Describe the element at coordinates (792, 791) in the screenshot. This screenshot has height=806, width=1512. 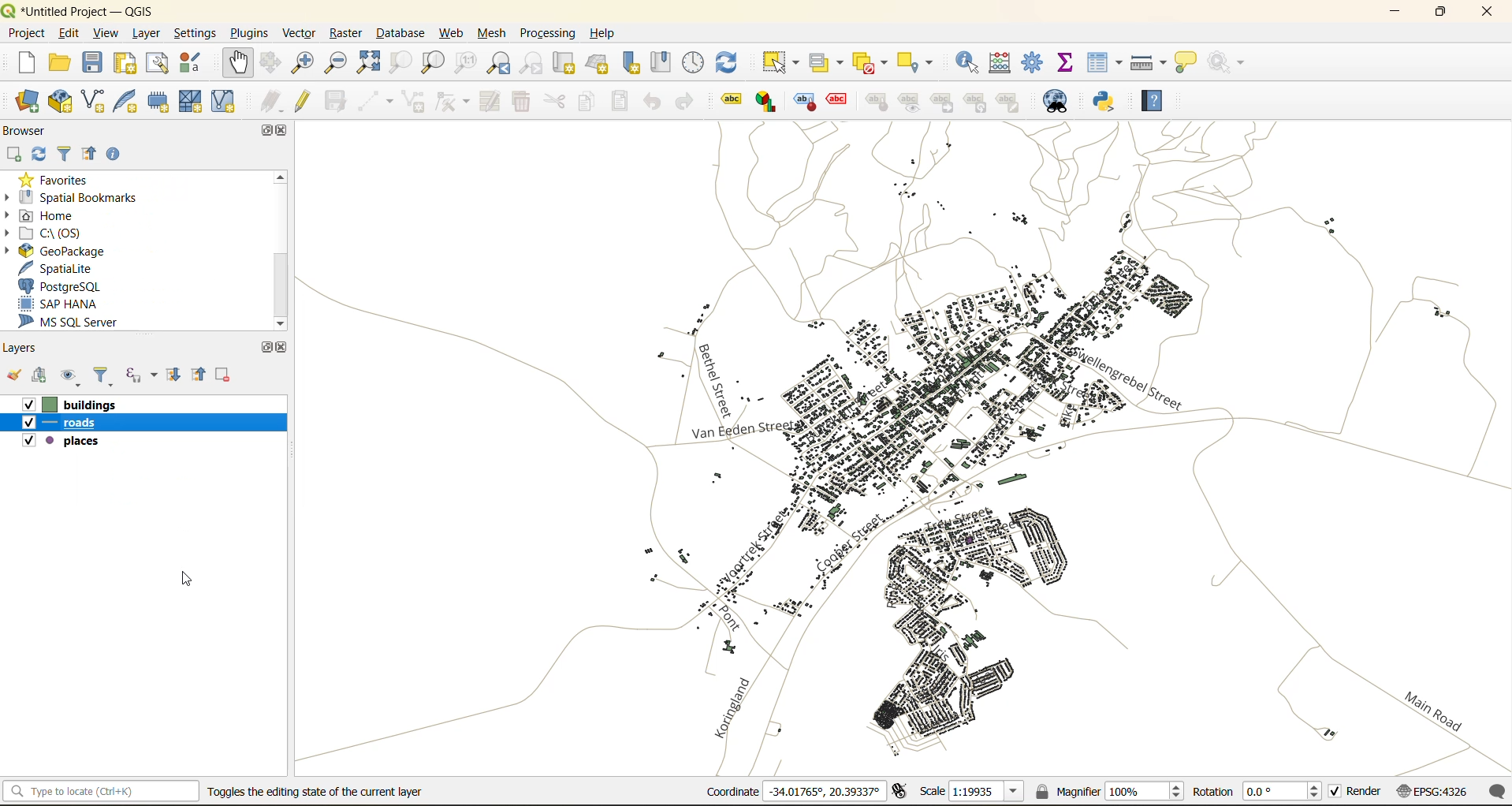
I see `coordinates` at that location.